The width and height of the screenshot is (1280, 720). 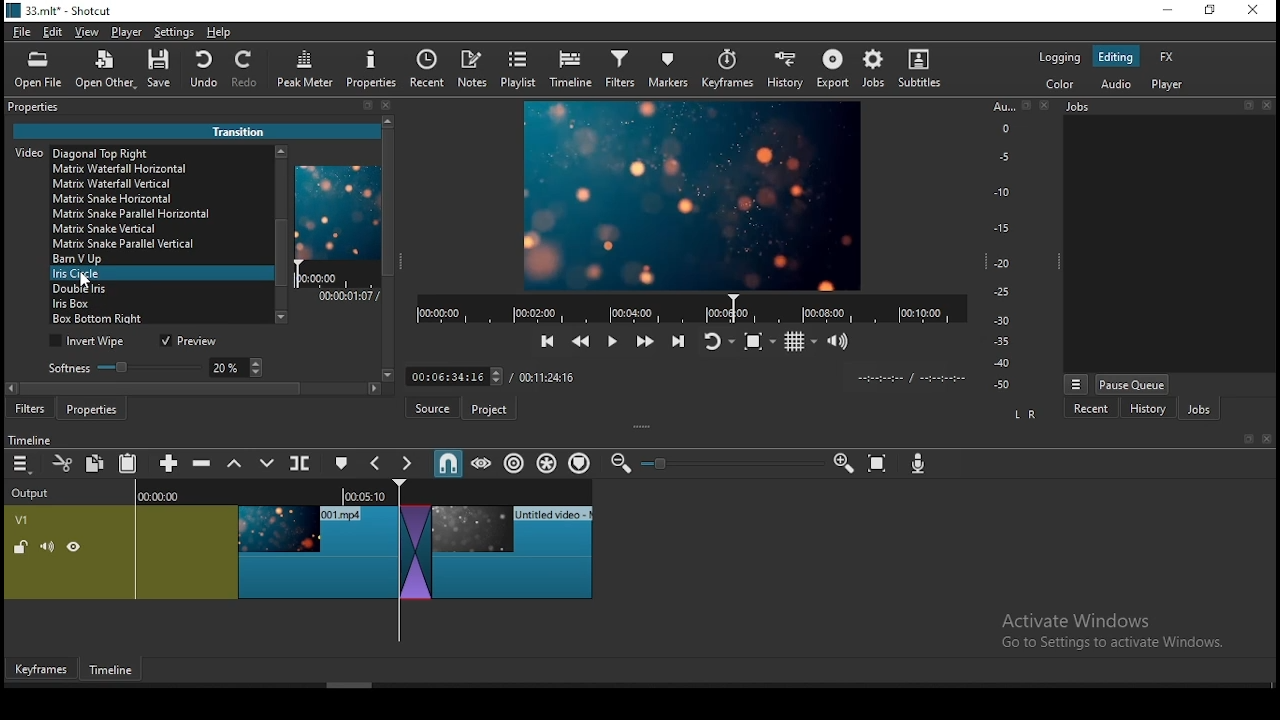 What do you see at coordinates (619, 70) in the screenshot?
I see `filters` at bounding box center [619, 70].